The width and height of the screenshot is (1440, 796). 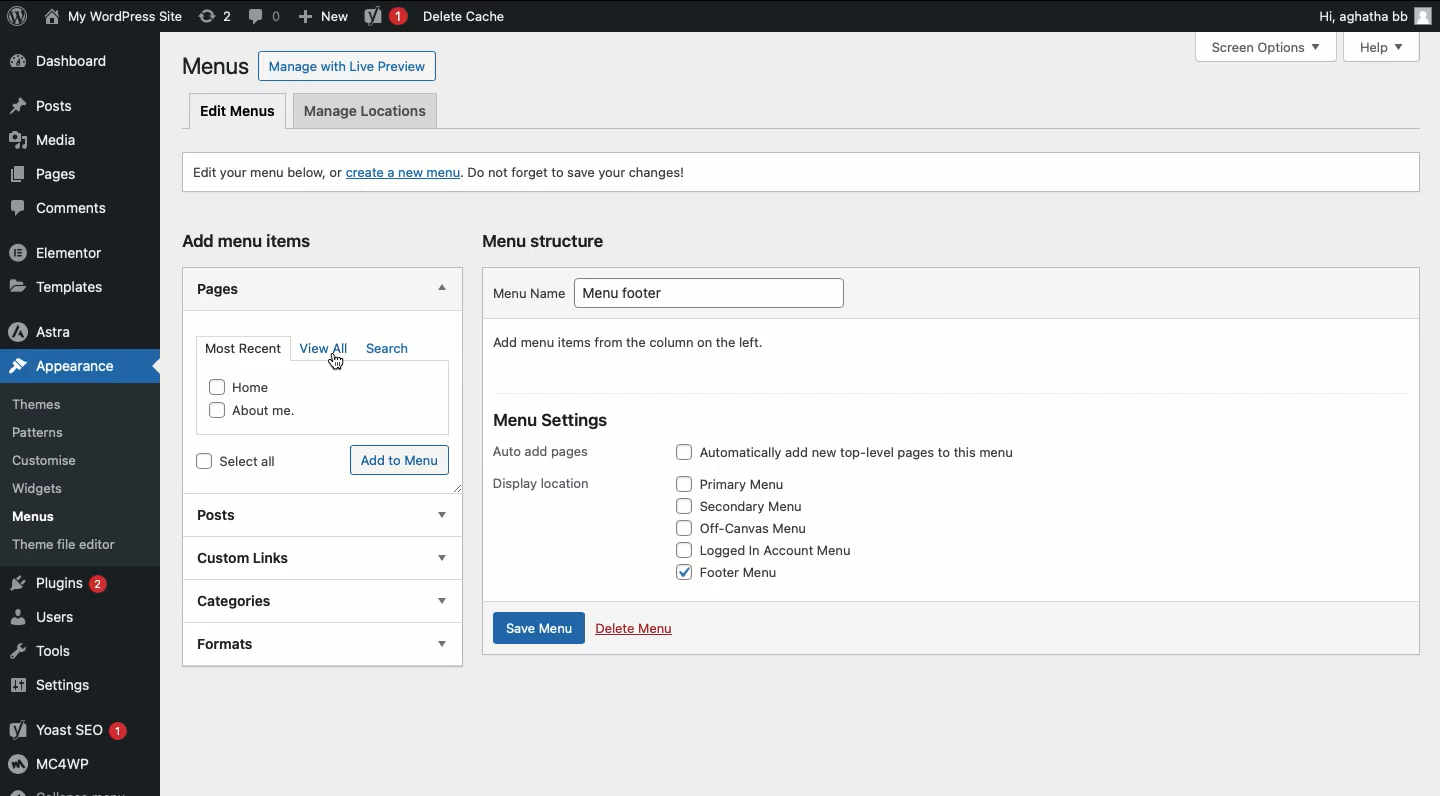 What do you see at coordinates (443, 647) in the screenshot?
I see `show` at bounding box center [443, 647].